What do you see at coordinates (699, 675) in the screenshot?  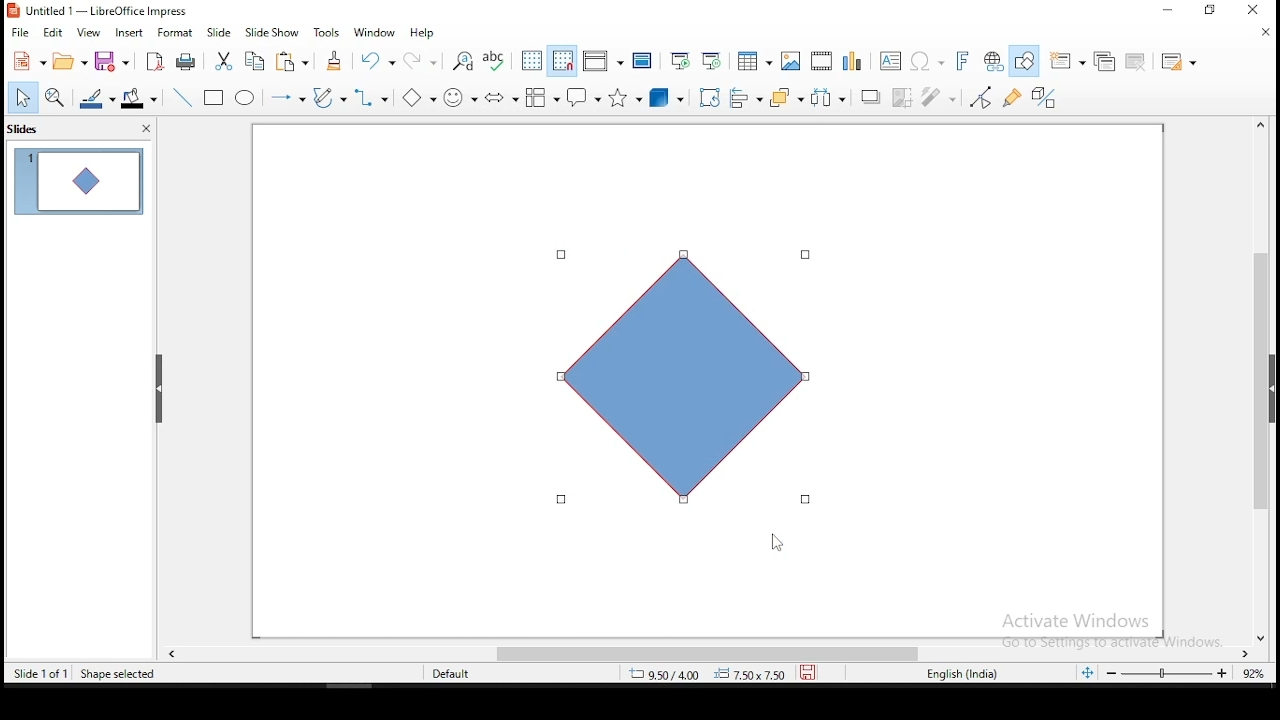 I see `9.50/4.00 7.50x7.50` at bounding box center [699, 675].